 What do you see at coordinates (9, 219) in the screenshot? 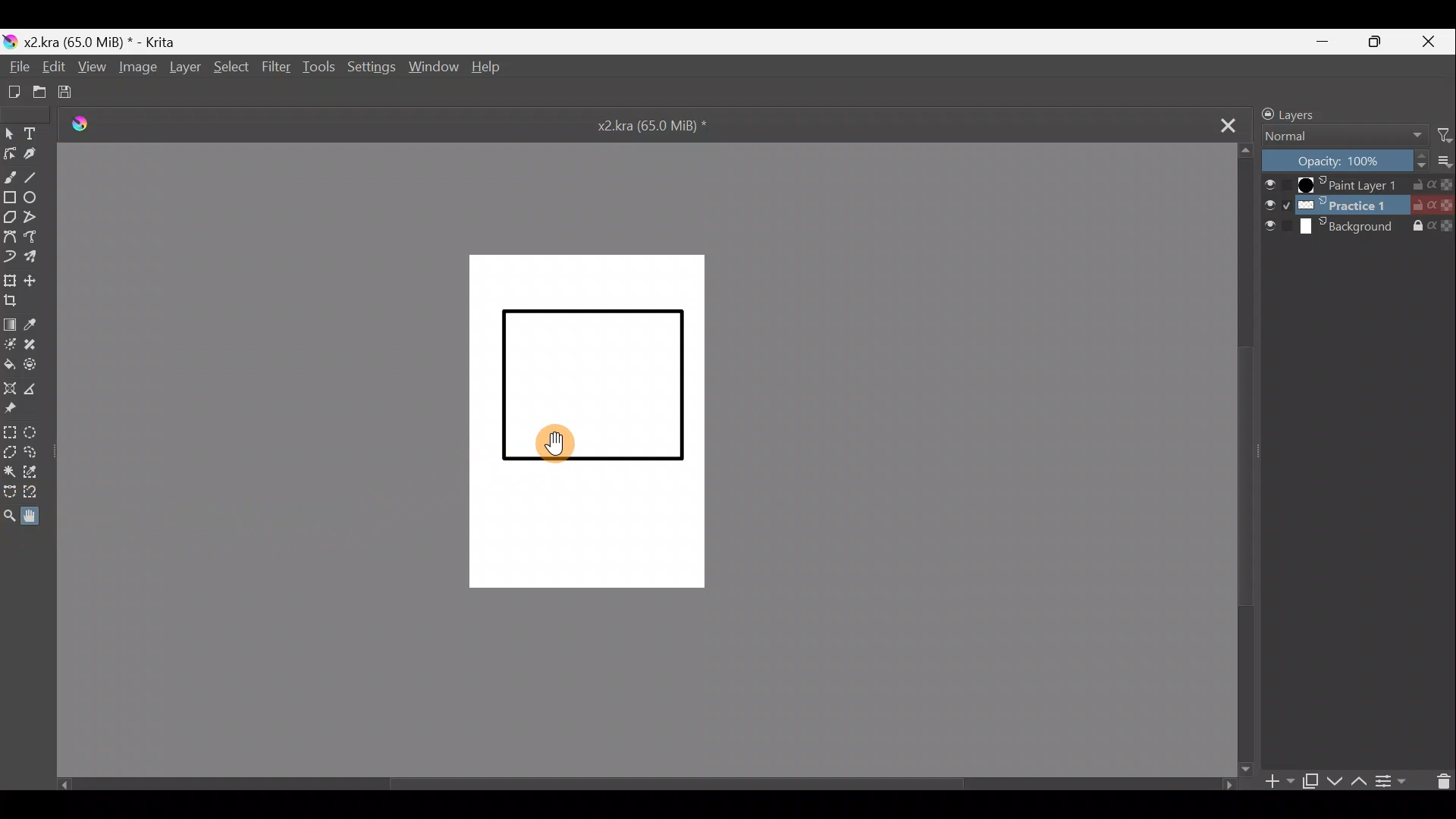
I see `Polygon tool` at bounding box center [9, 219].